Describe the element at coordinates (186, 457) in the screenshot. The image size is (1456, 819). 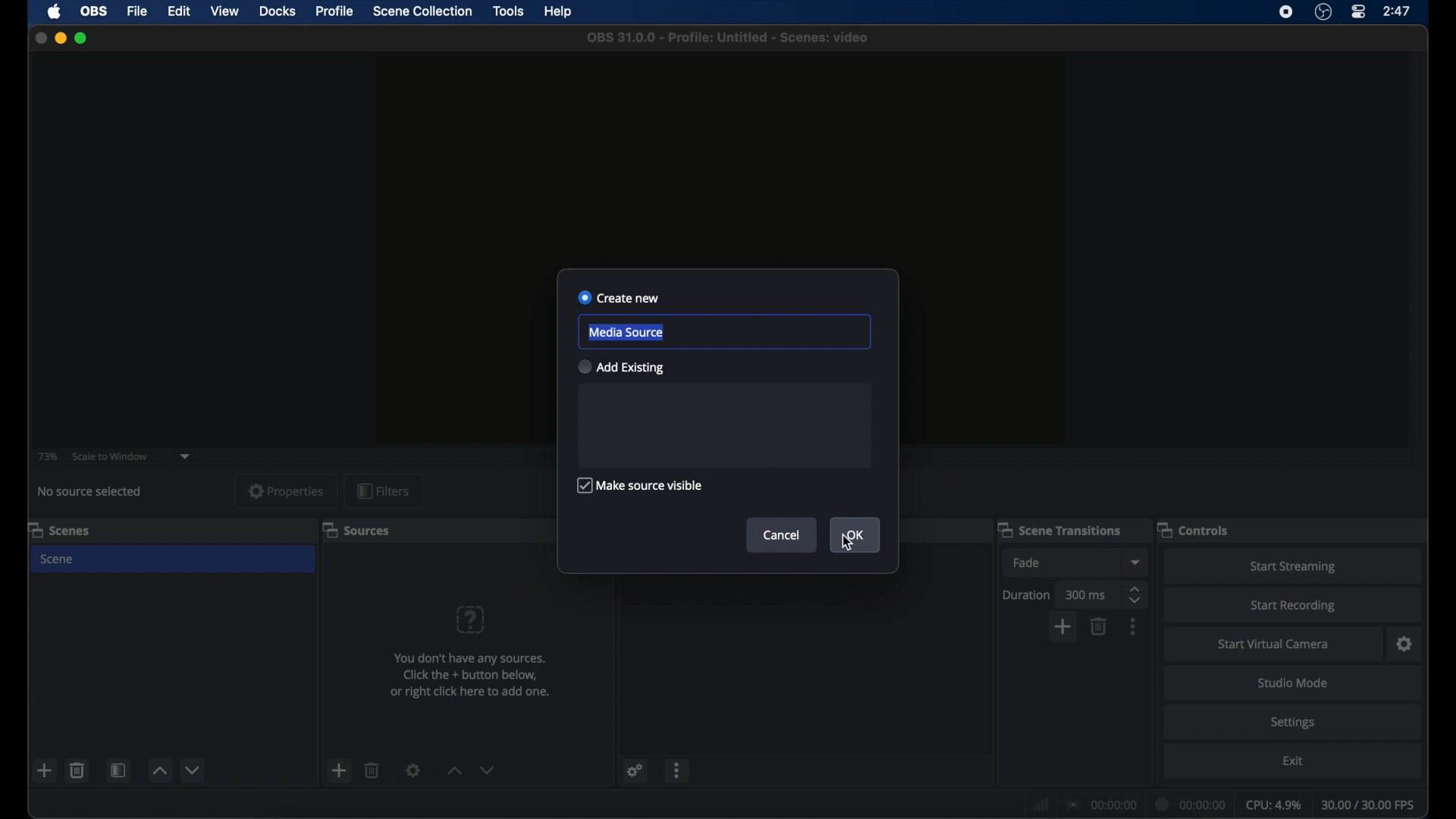
I see `dropdown` at that location.